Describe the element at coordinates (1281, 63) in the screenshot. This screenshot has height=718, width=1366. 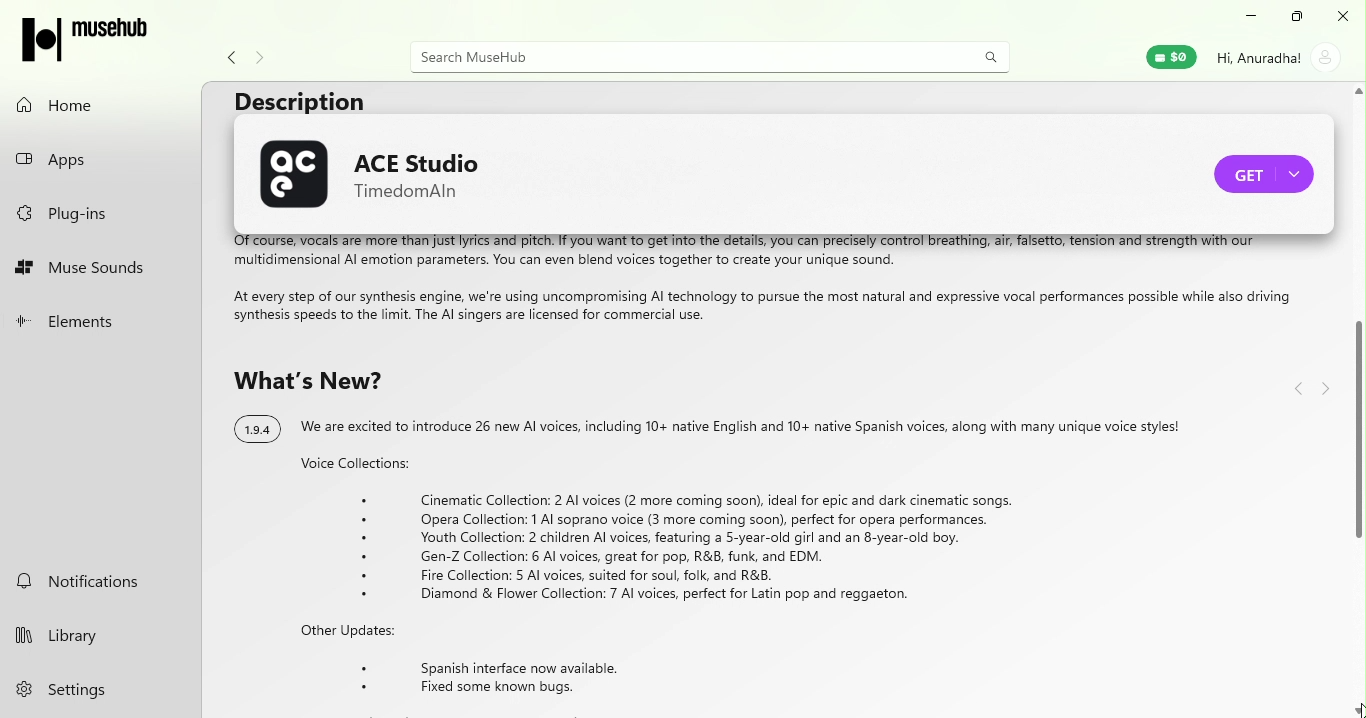
I see `account` at that location.